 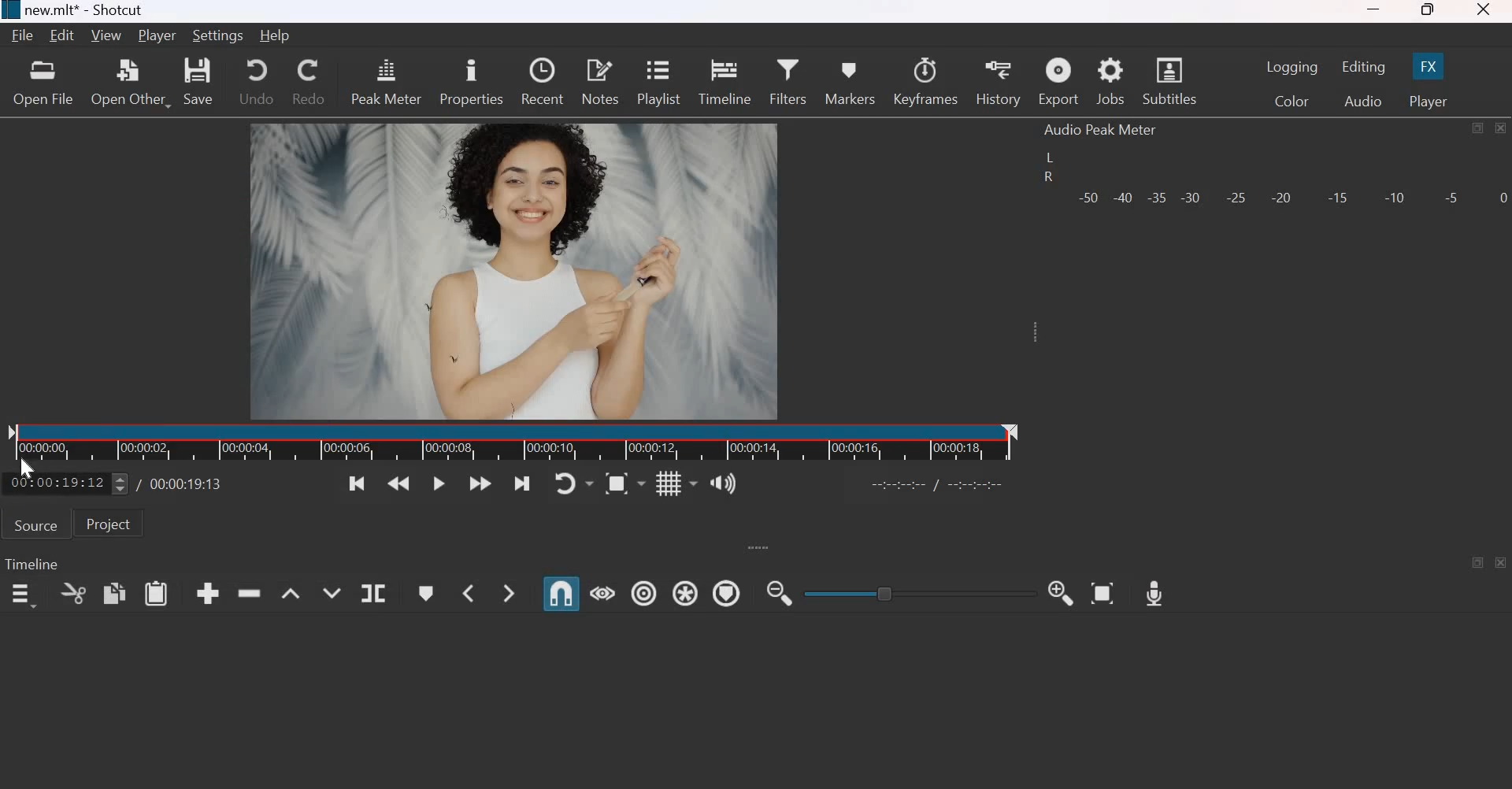 What do you see at coordinates (1032, 332) in the screenshot?
I see `Expand` at bounding box center [1032, 332].